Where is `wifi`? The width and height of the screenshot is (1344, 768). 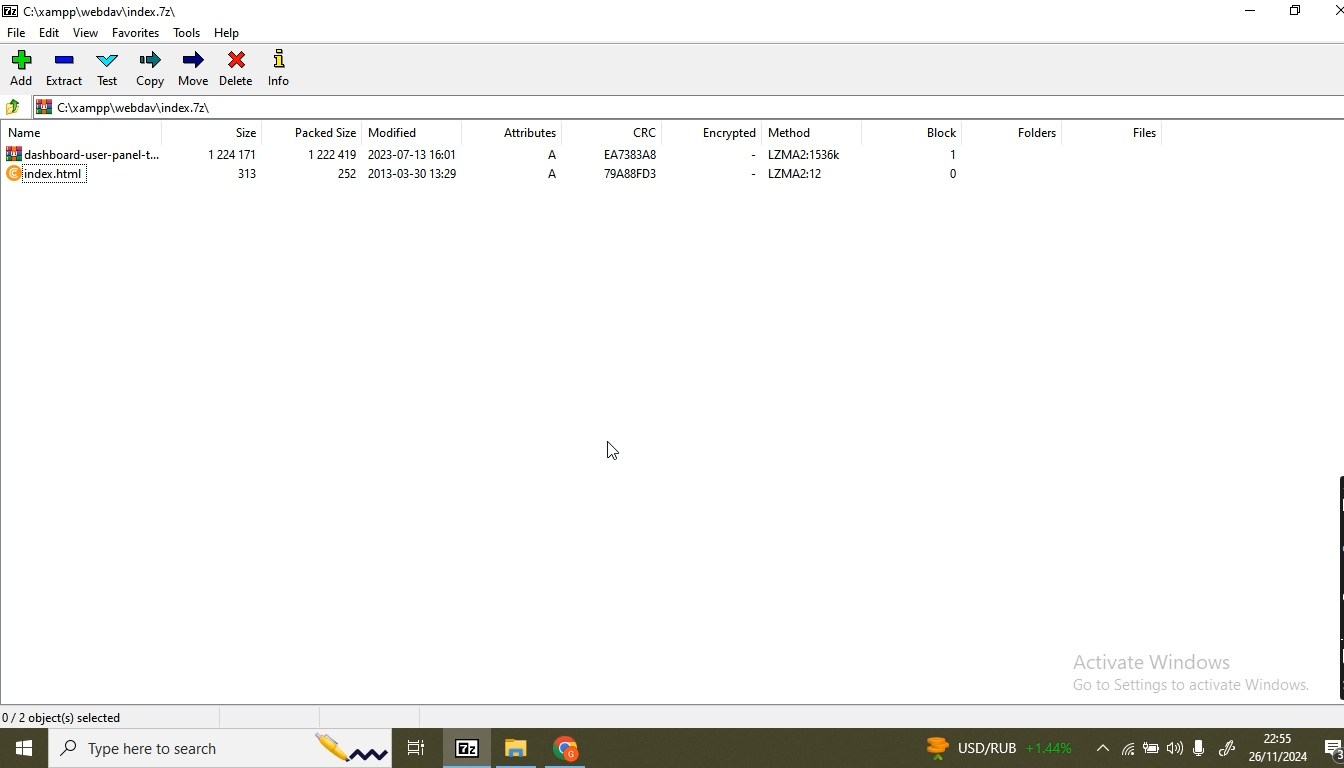 wifi is located at coordinates (1129, 751).